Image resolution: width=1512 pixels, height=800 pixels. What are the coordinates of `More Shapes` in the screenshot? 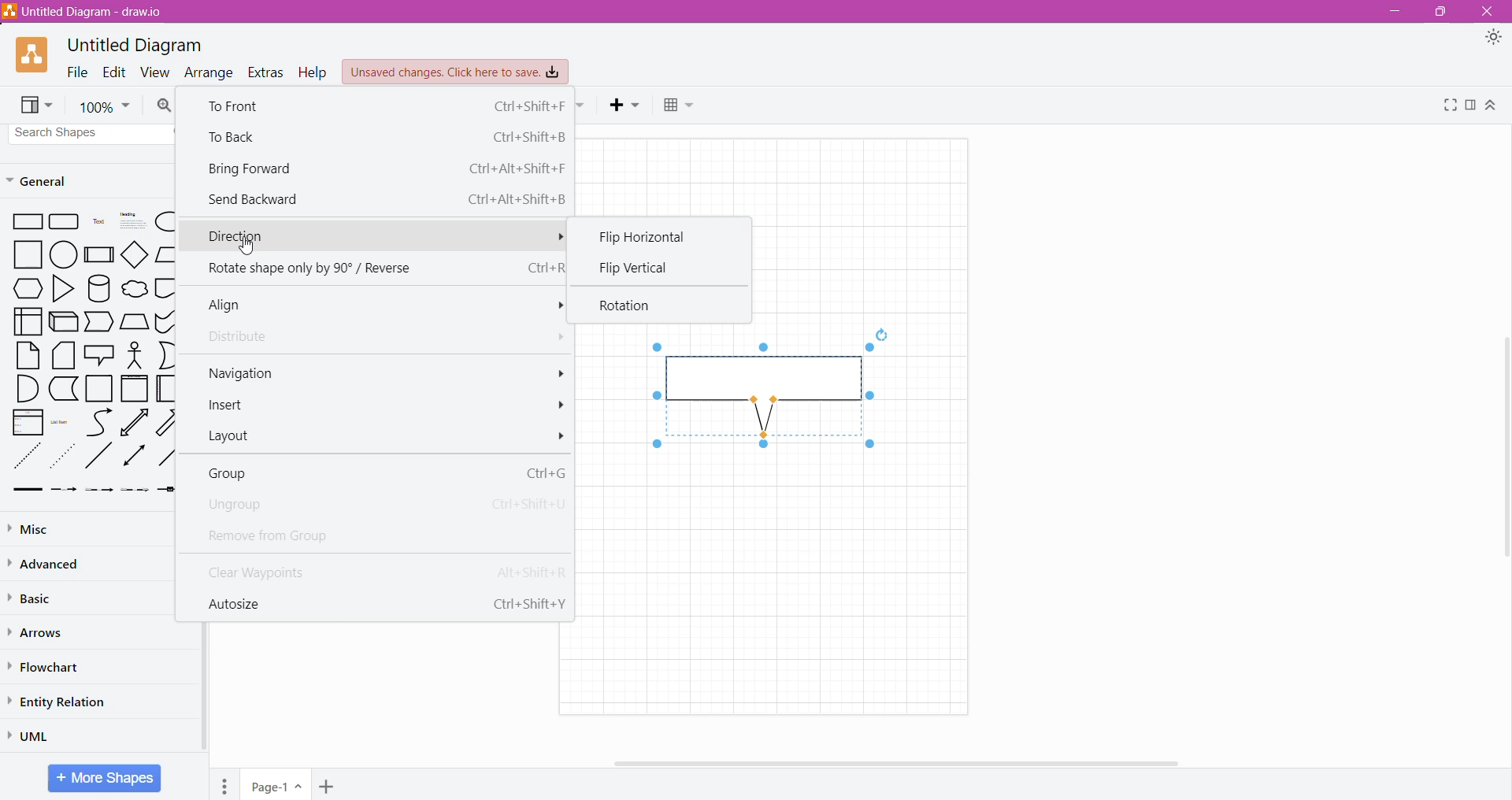 It's located at (104, 778).